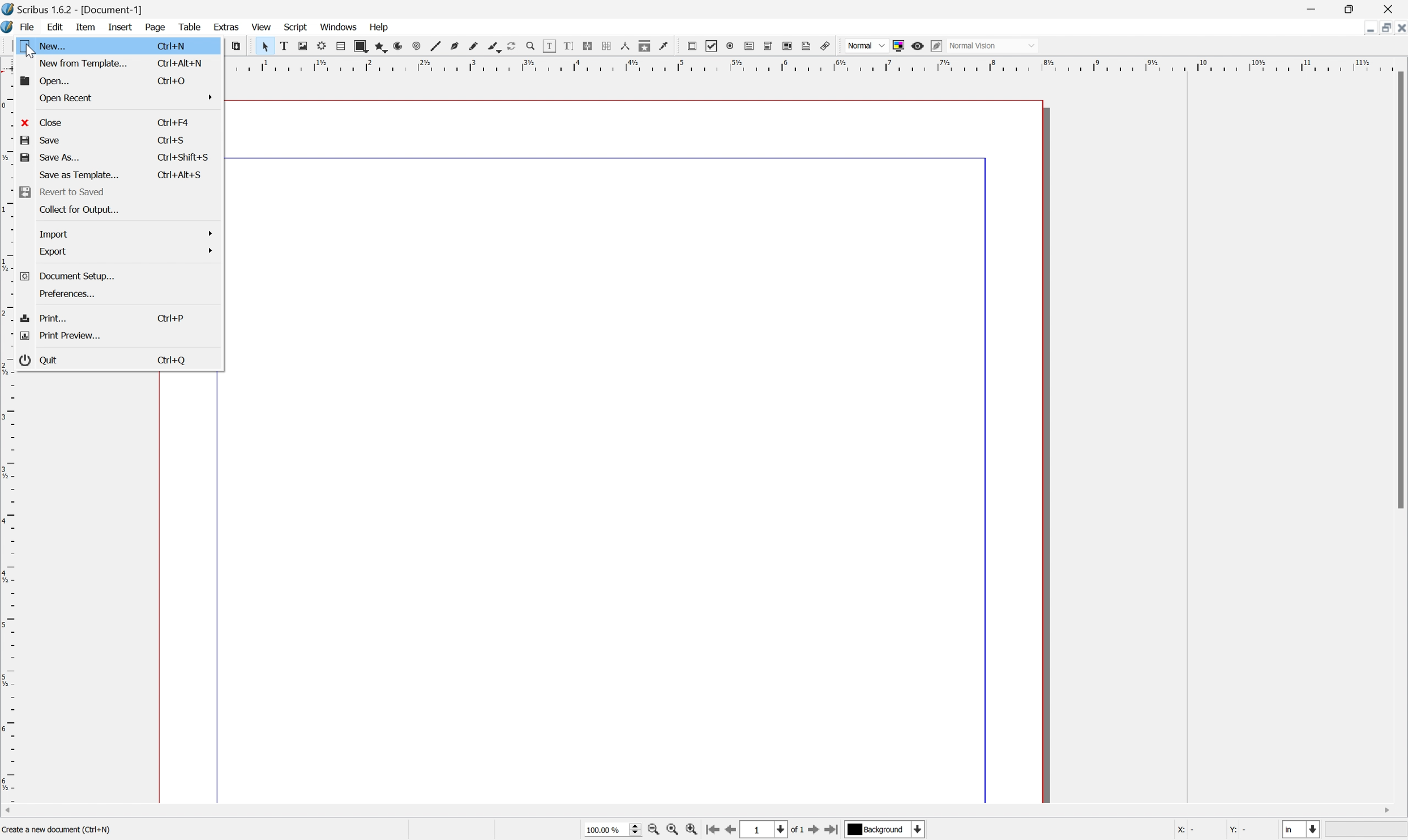 This screenshot has width=1408, height=840. Describe the element at coordinates (695, 830) in the screenshot. I see `zoom in` at that location.